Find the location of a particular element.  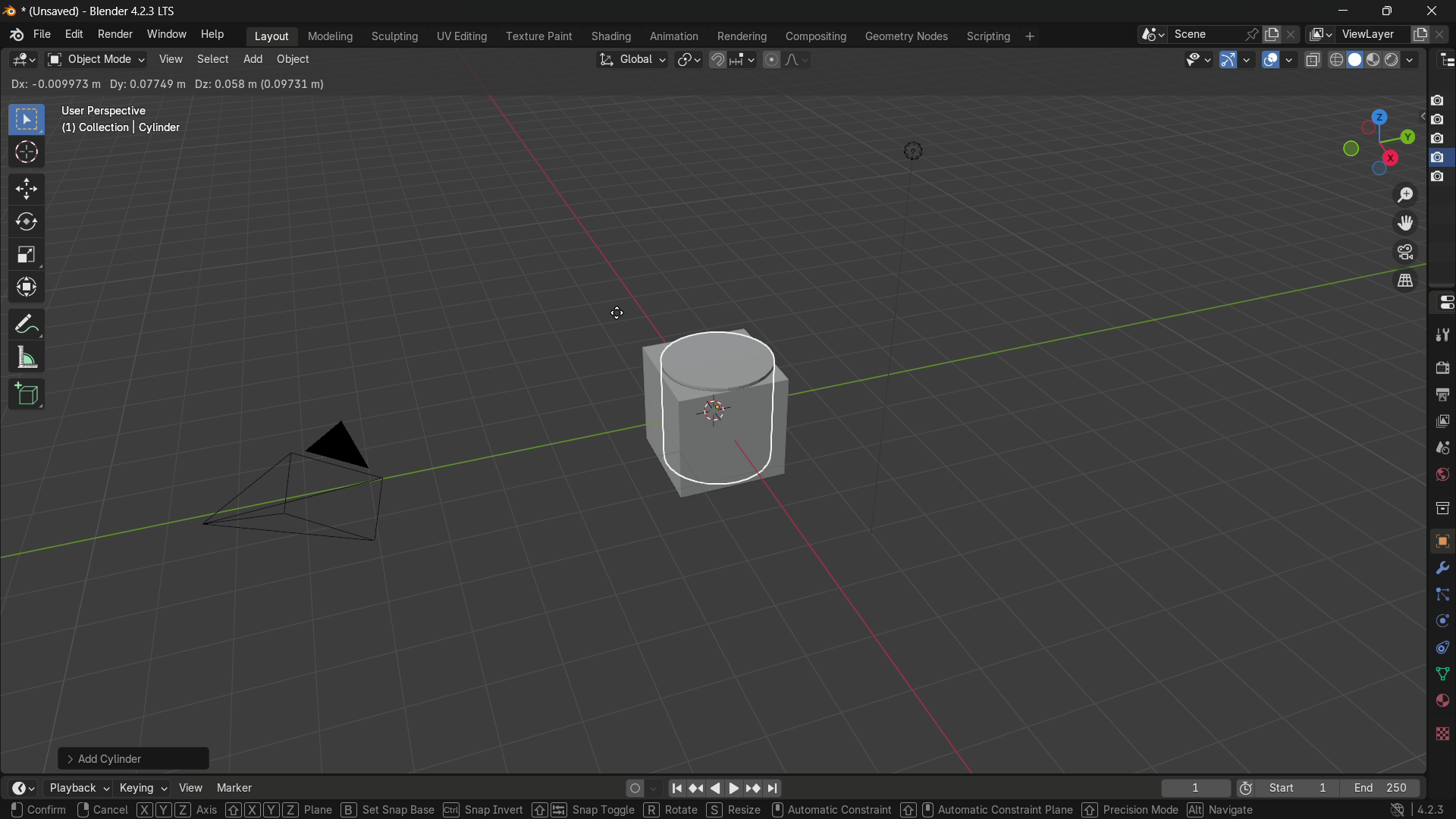

move to the beginning is located at coordinates (679, 789).